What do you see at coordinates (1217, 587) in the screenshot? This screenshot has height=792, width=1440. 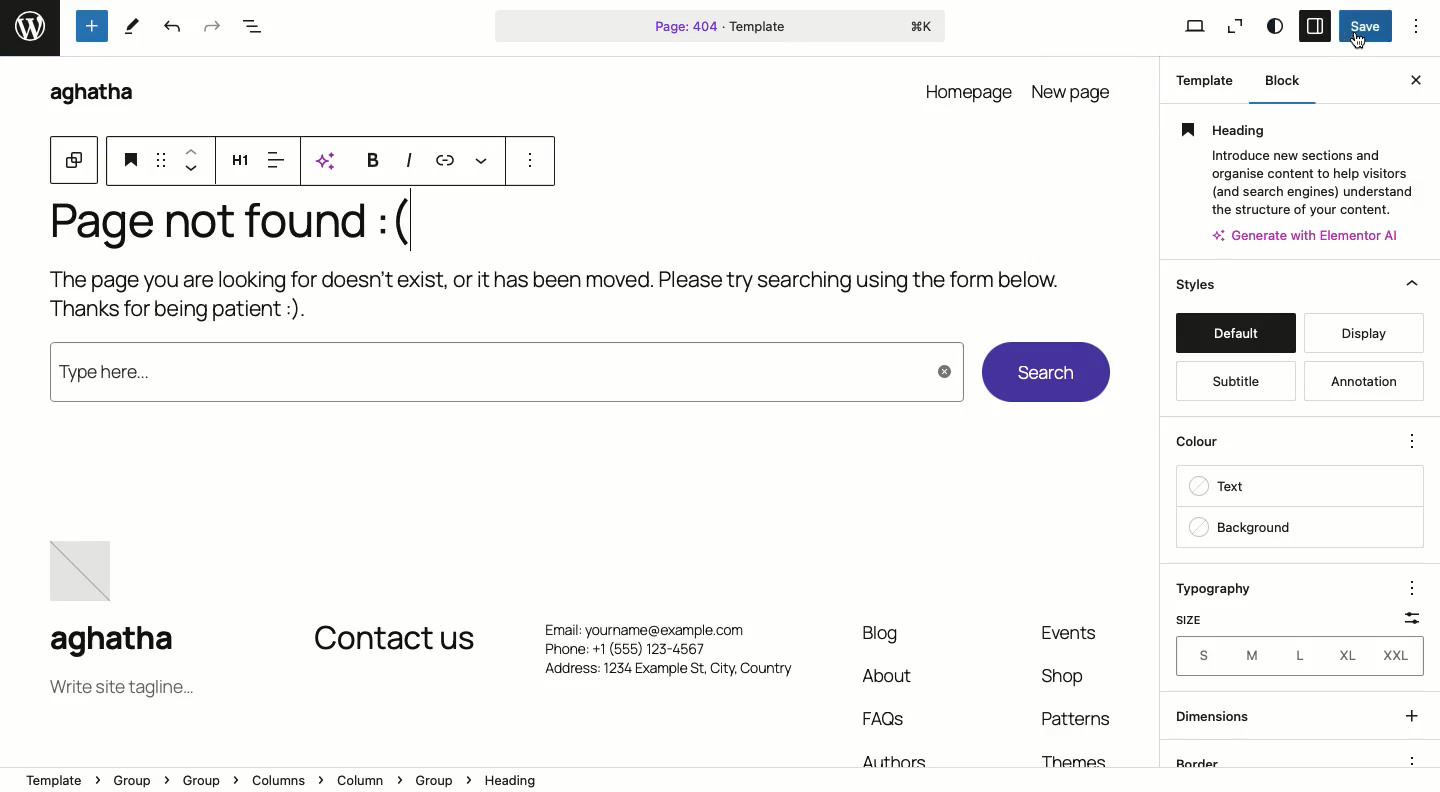 I see `Typography` at bounding box center [1217, 587].